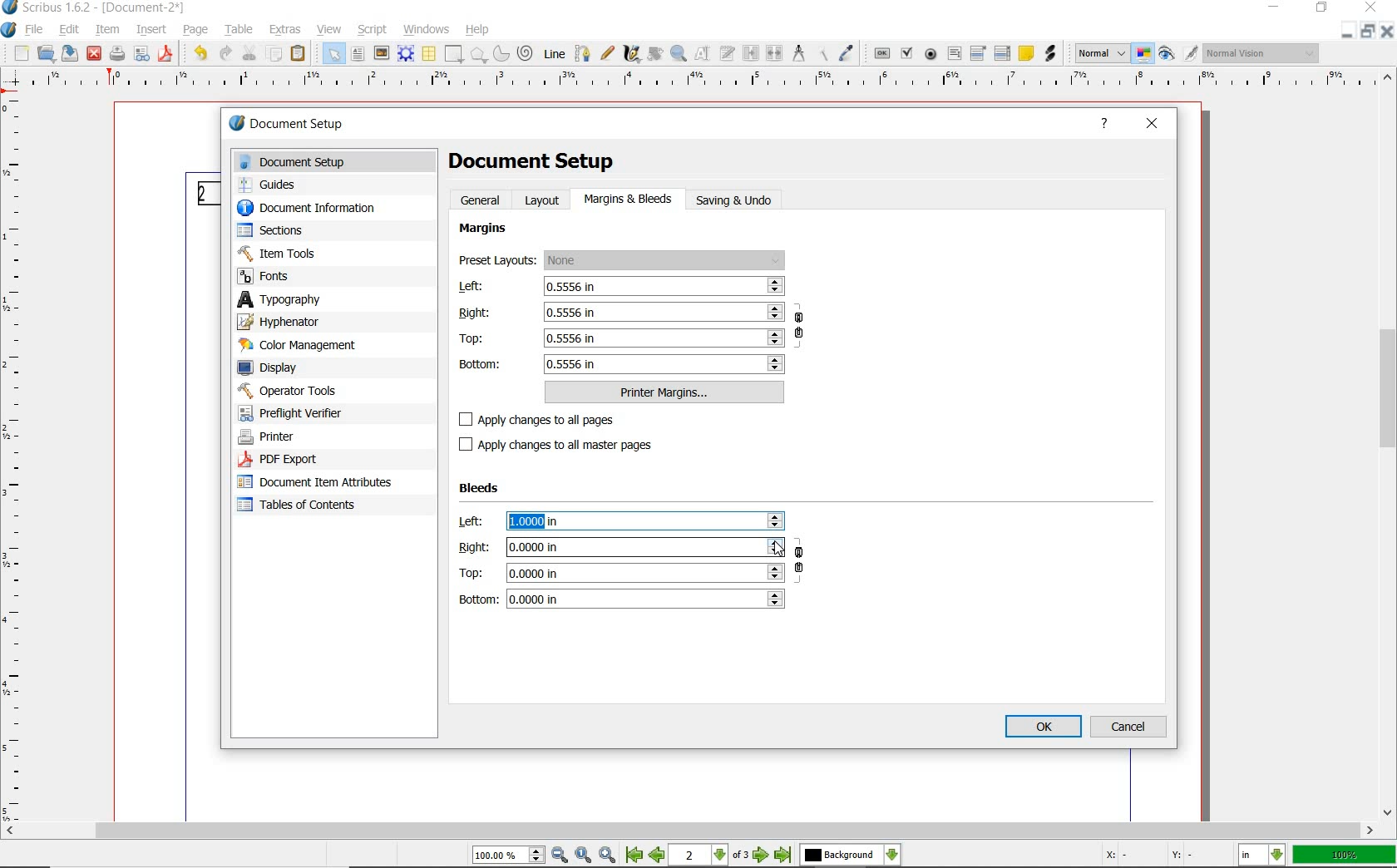 This screenshot has width=1397, height=868. What do you see at coordinates (324, 391) in the screenshot?
I see `operator tools` at bounding box center [324, 391].